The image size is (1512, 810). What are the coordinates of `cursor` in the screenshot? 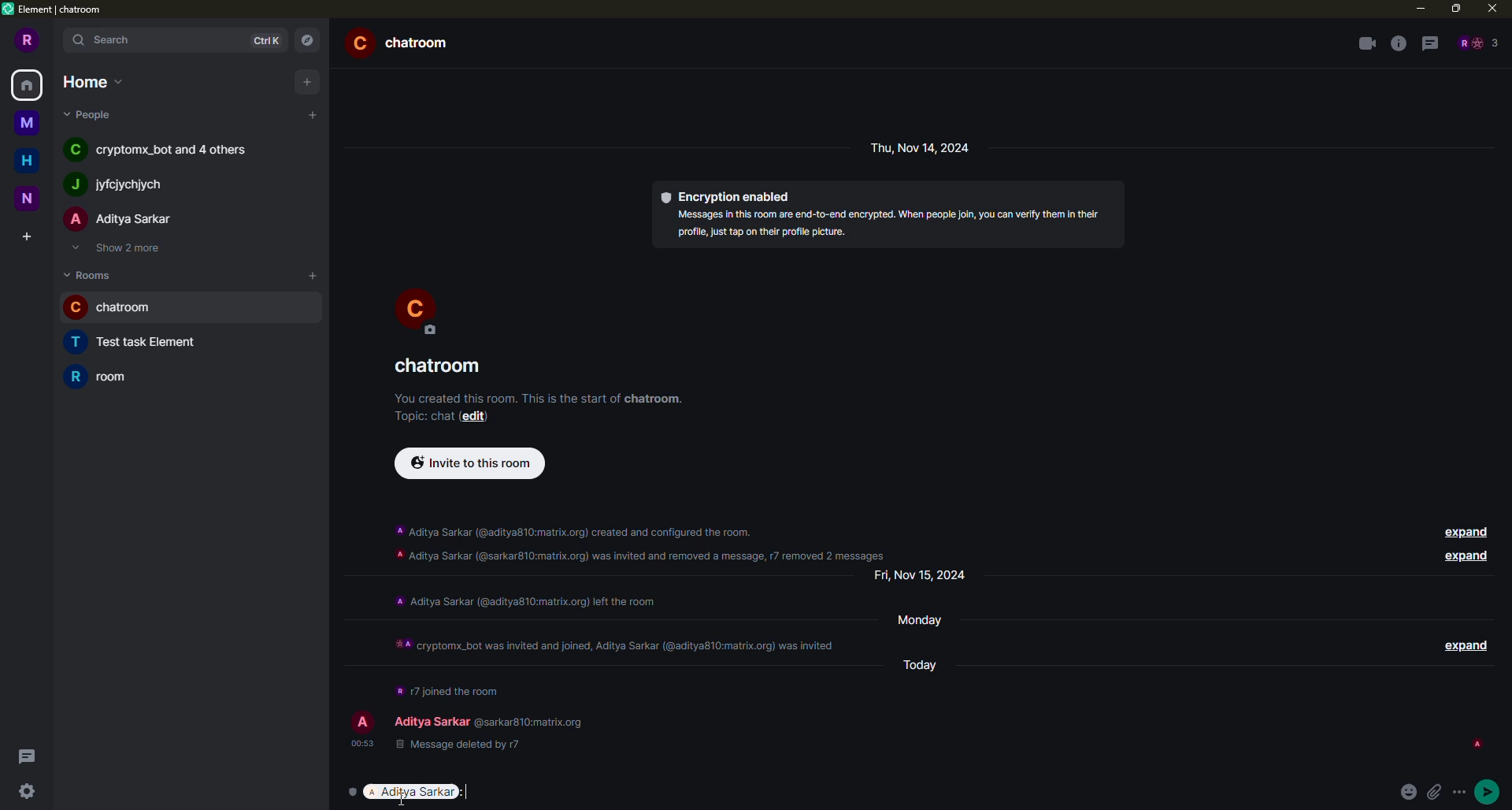 It's located at (404, 799).